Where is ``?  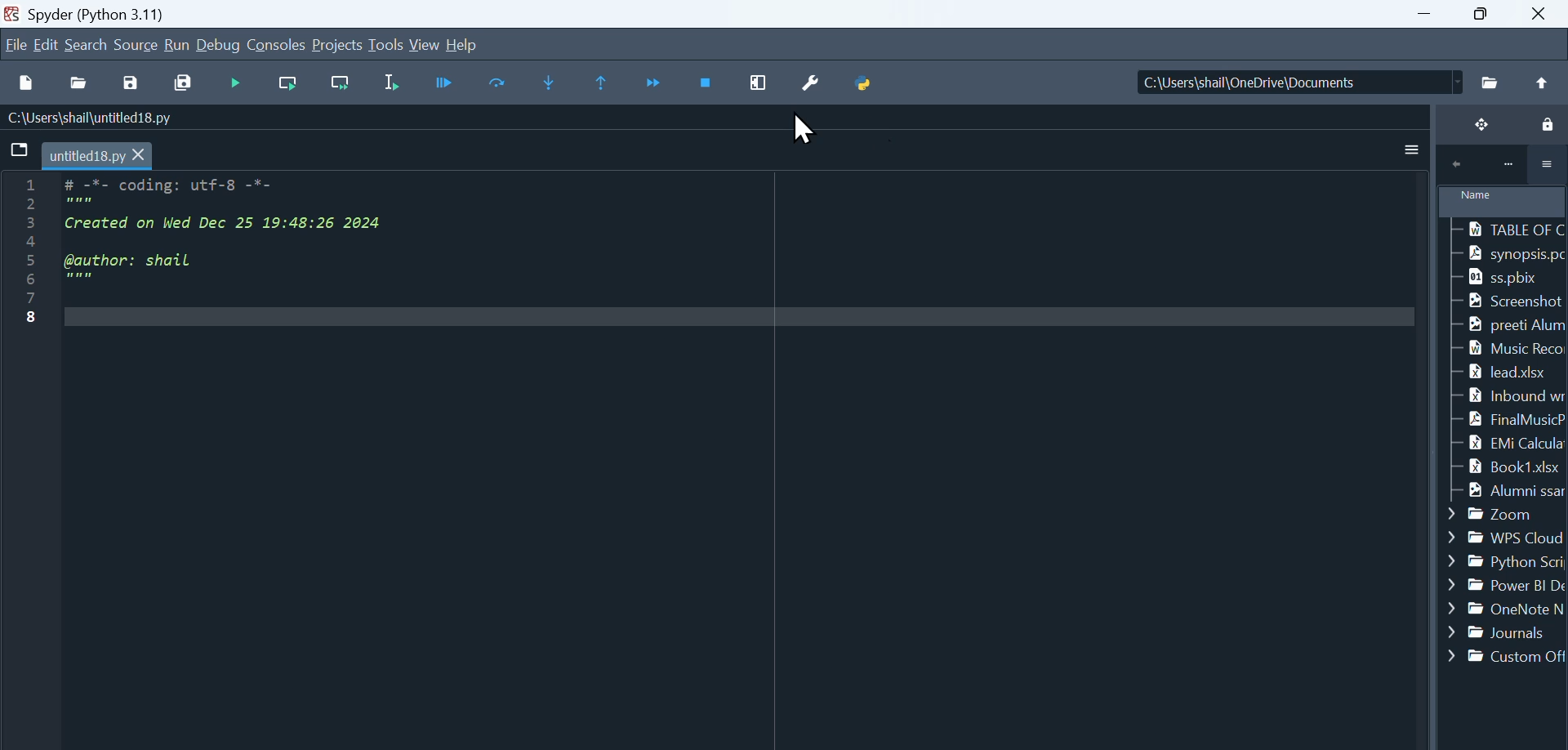  is located at coordinates (48, 44).